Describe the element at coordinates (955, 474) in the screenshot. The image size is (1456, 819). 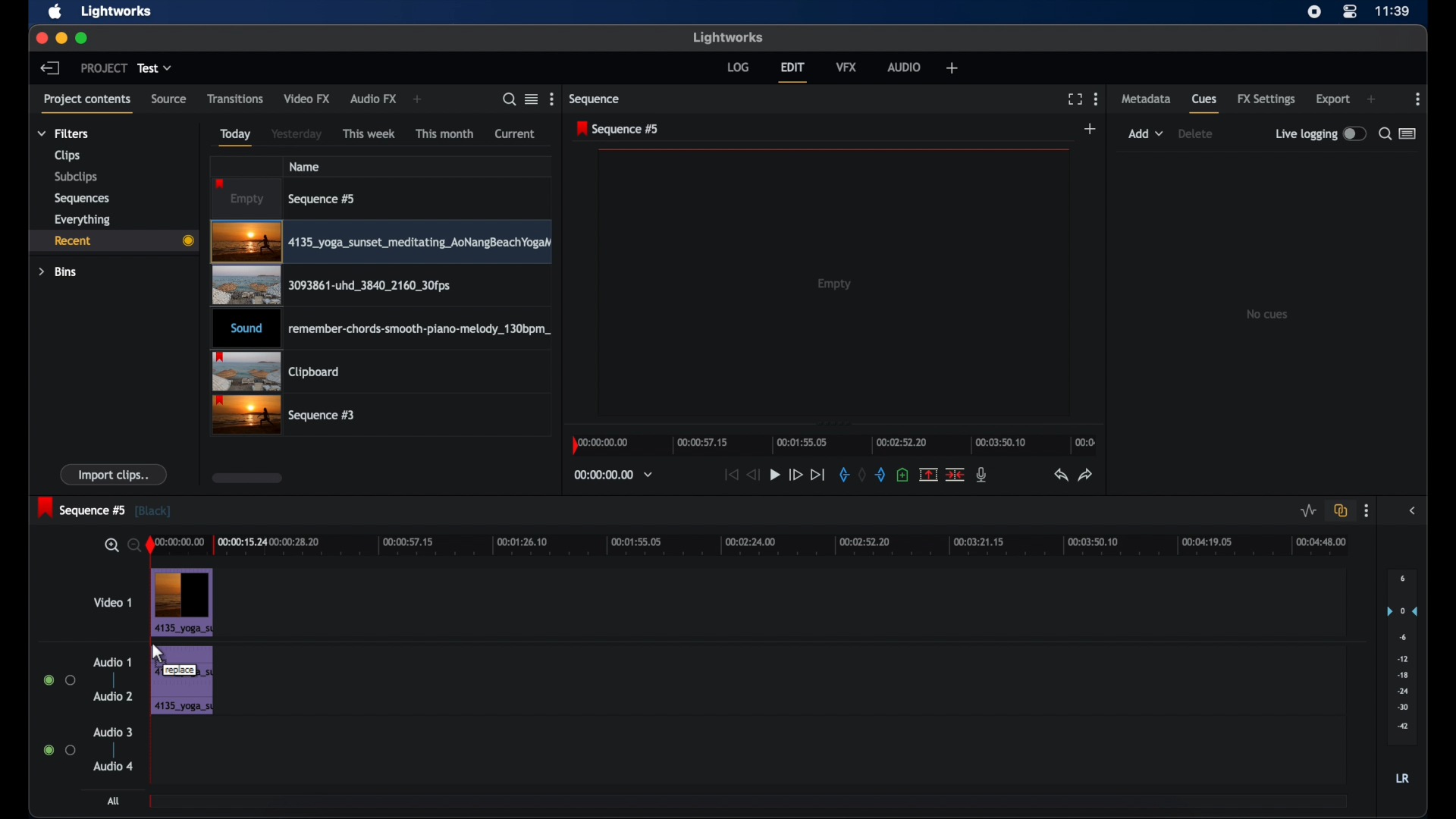
I see `cut` at that location.